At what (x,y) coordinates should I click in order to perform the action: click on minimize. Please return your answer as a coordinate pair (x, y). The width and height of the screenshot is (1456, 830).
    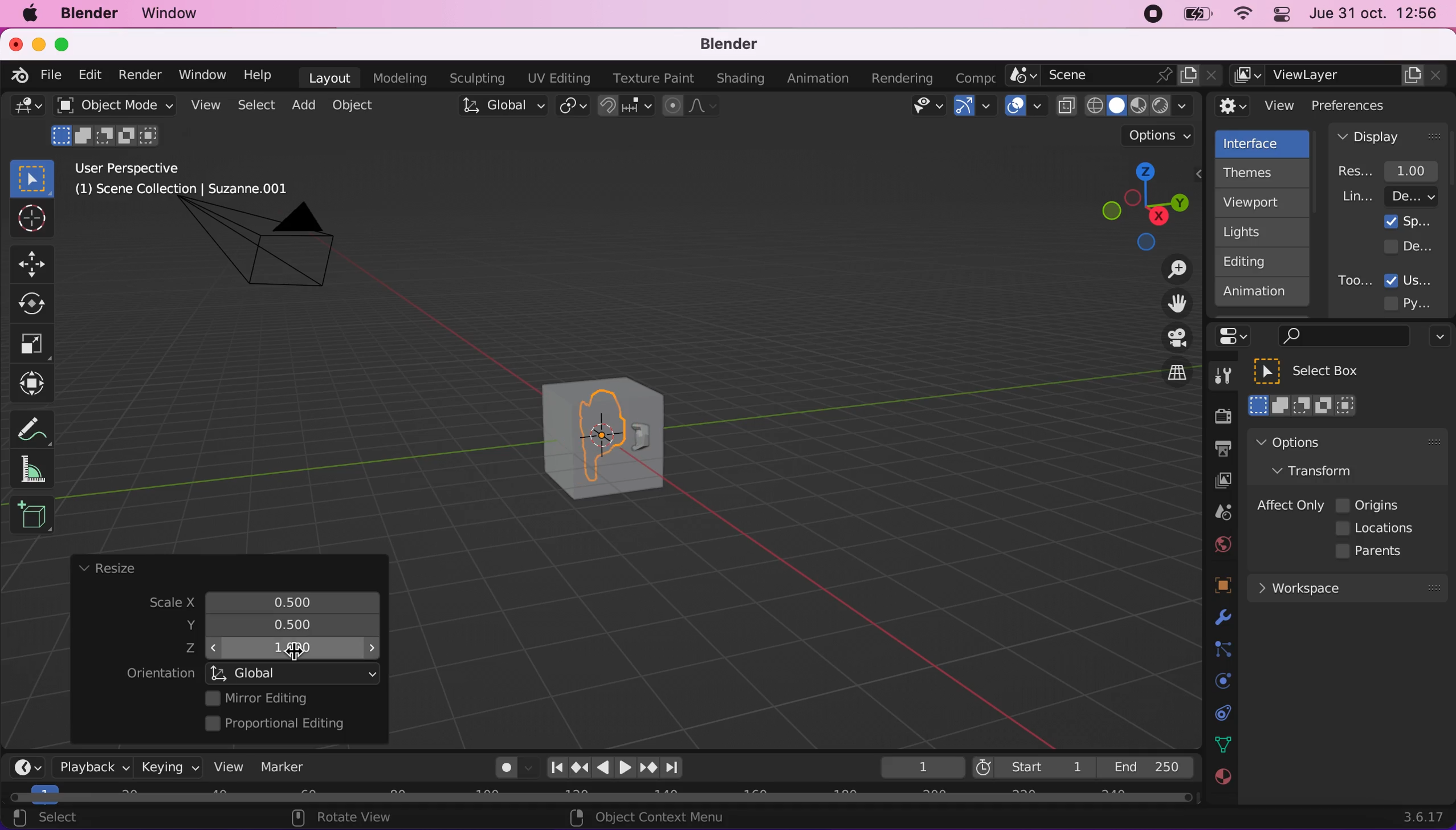
    Looking at the image, I should click on (36, 43).